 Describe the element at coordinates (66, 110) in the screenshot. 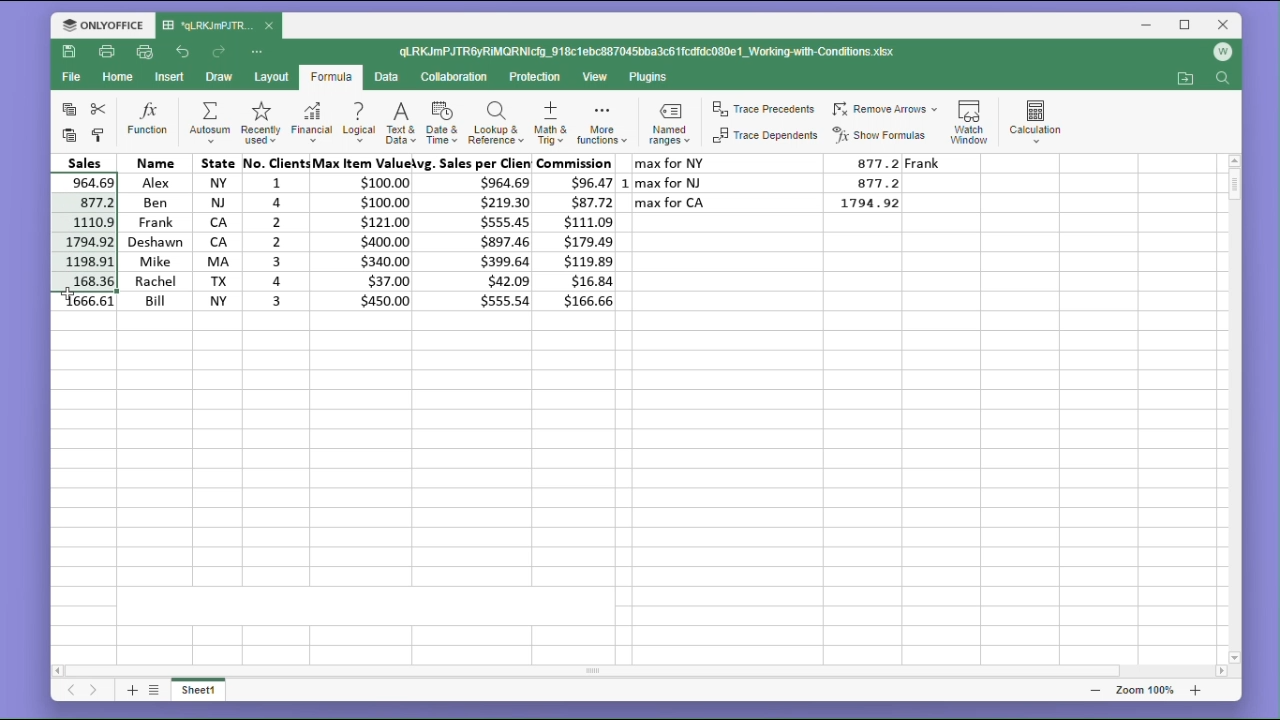

I see `copy` at that location.